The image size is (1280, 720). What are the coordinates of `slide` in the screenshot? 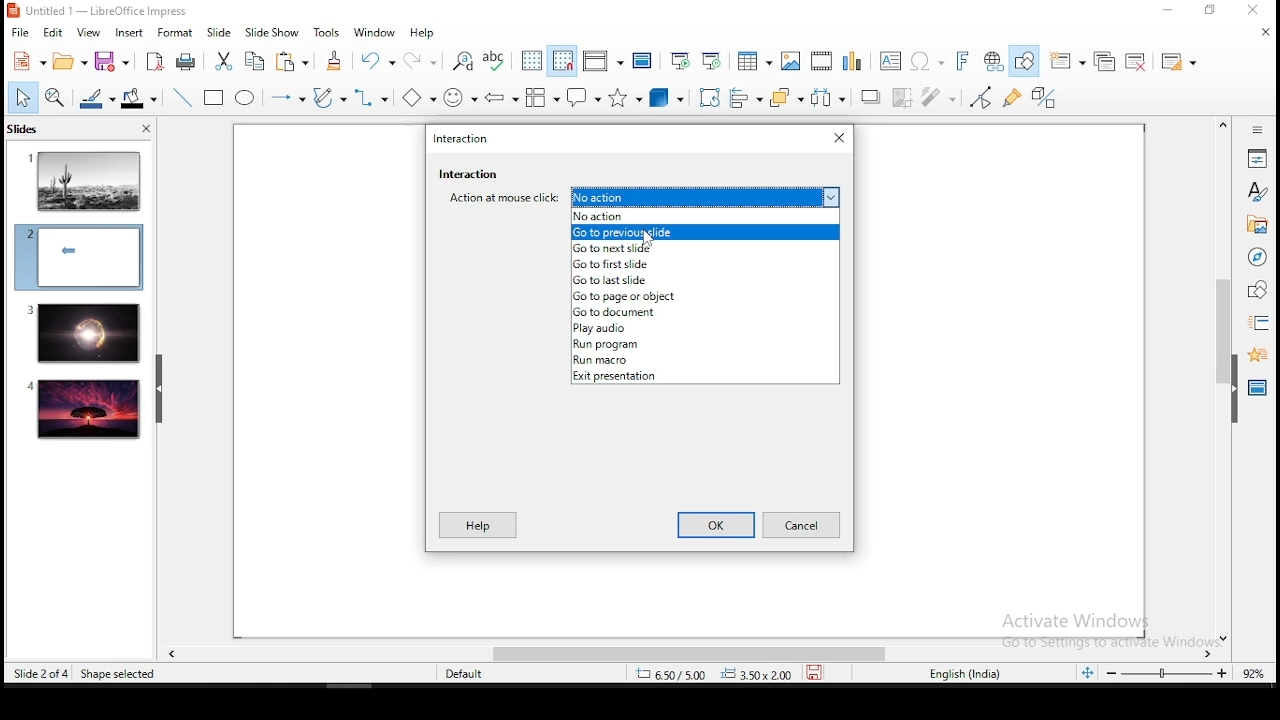 It's located at (219, 32).